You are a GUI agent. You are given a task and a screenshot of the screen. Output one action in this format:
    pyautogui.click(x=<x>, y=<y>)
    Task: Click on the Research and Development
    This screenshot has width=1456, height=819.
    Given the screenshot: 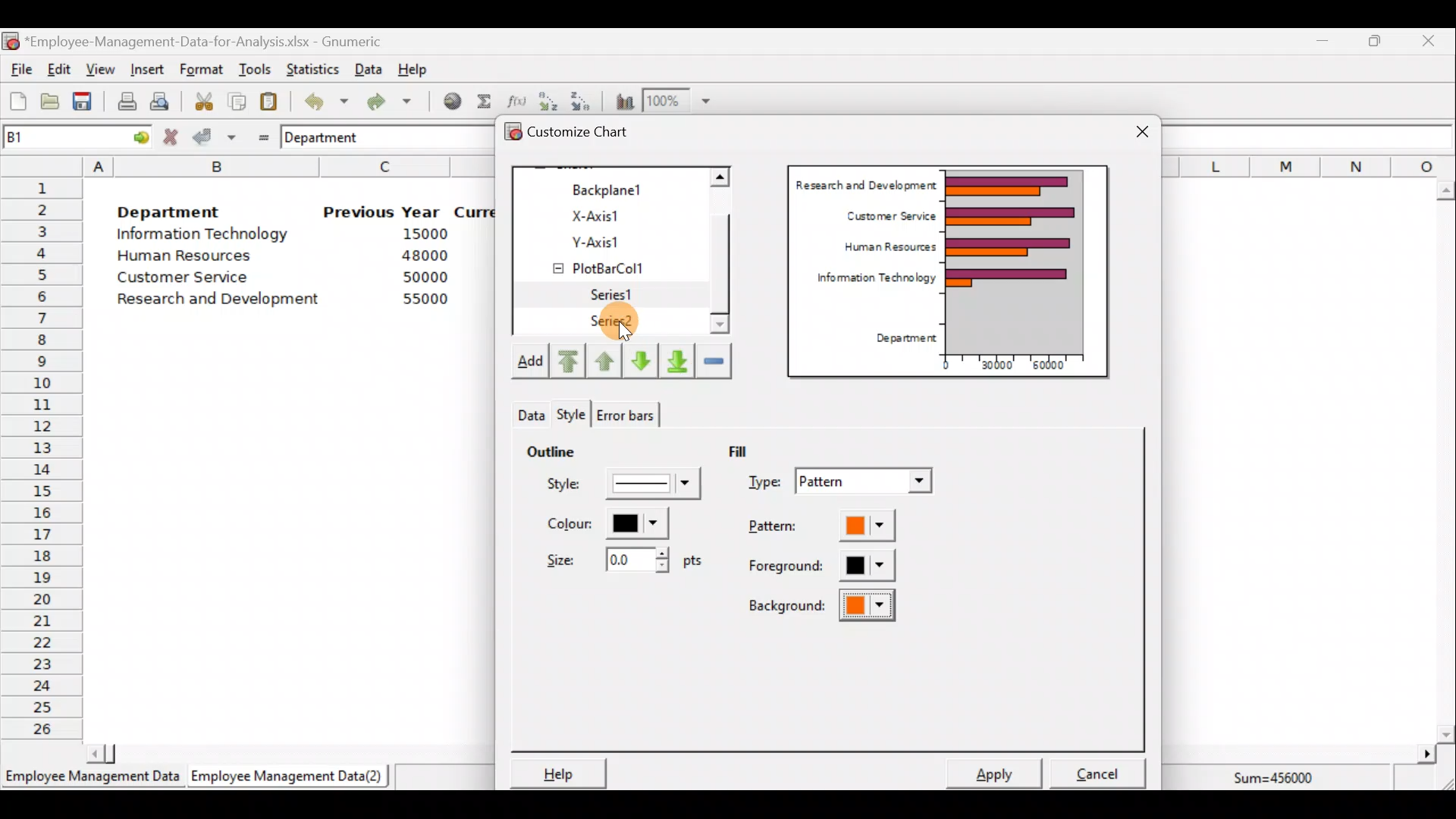 What is the action you would take?
    pyautogui.click(x=224, y=301)
    